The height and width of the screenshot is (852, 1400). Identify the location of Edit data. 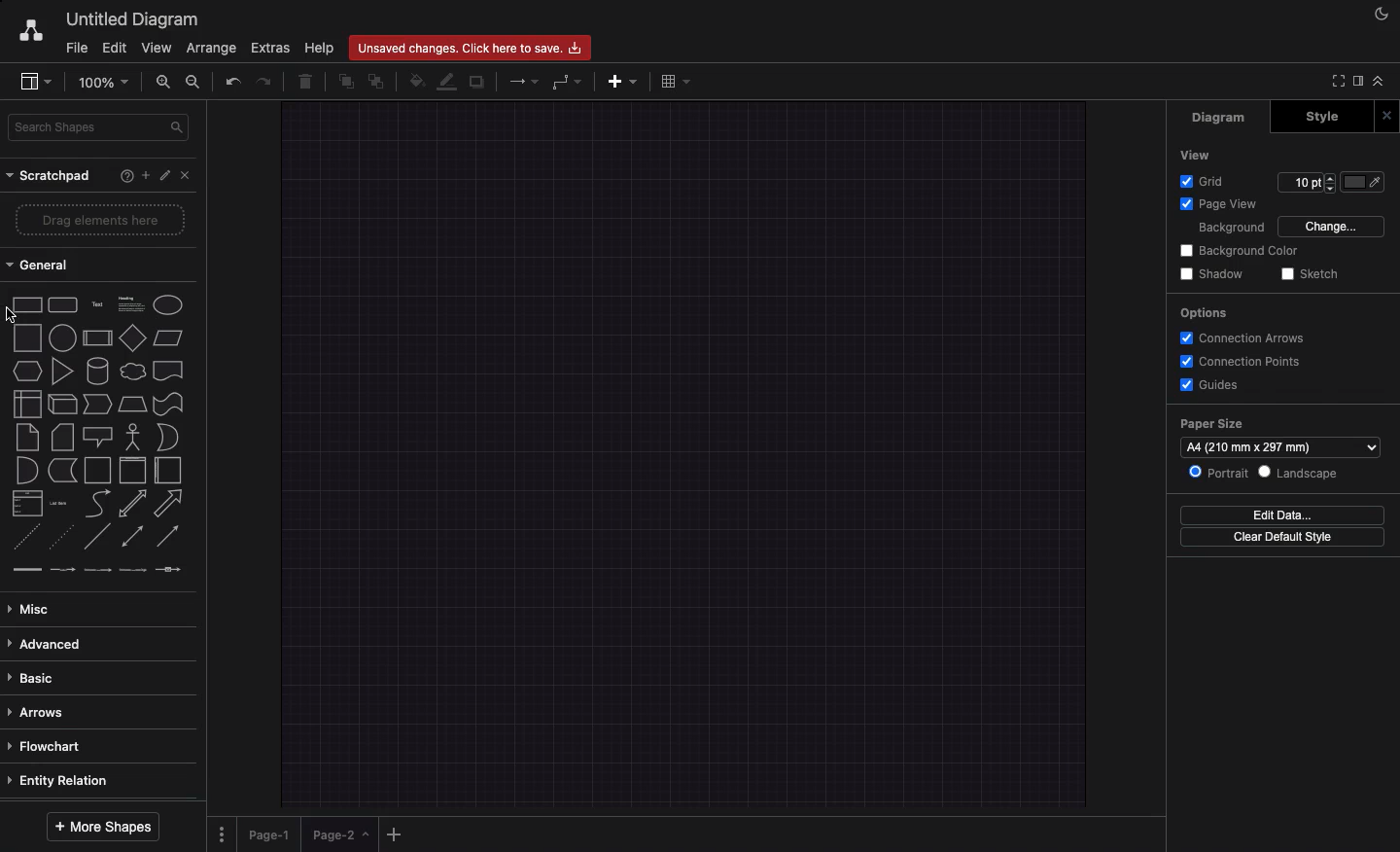
(1282, 514).